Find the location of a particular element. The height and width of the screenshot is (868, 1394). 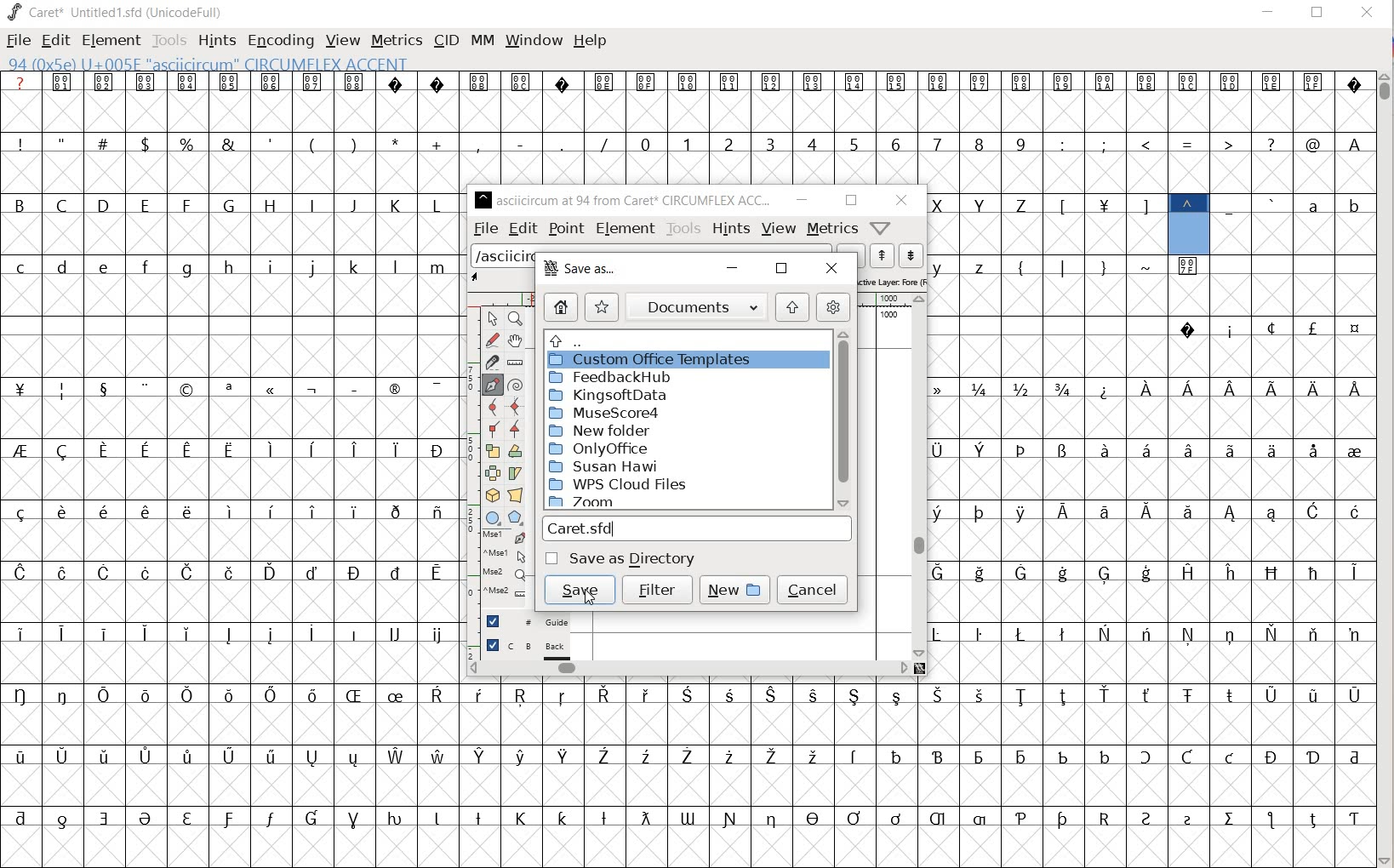

show the next word on the list is located at coordinates (883, 257).